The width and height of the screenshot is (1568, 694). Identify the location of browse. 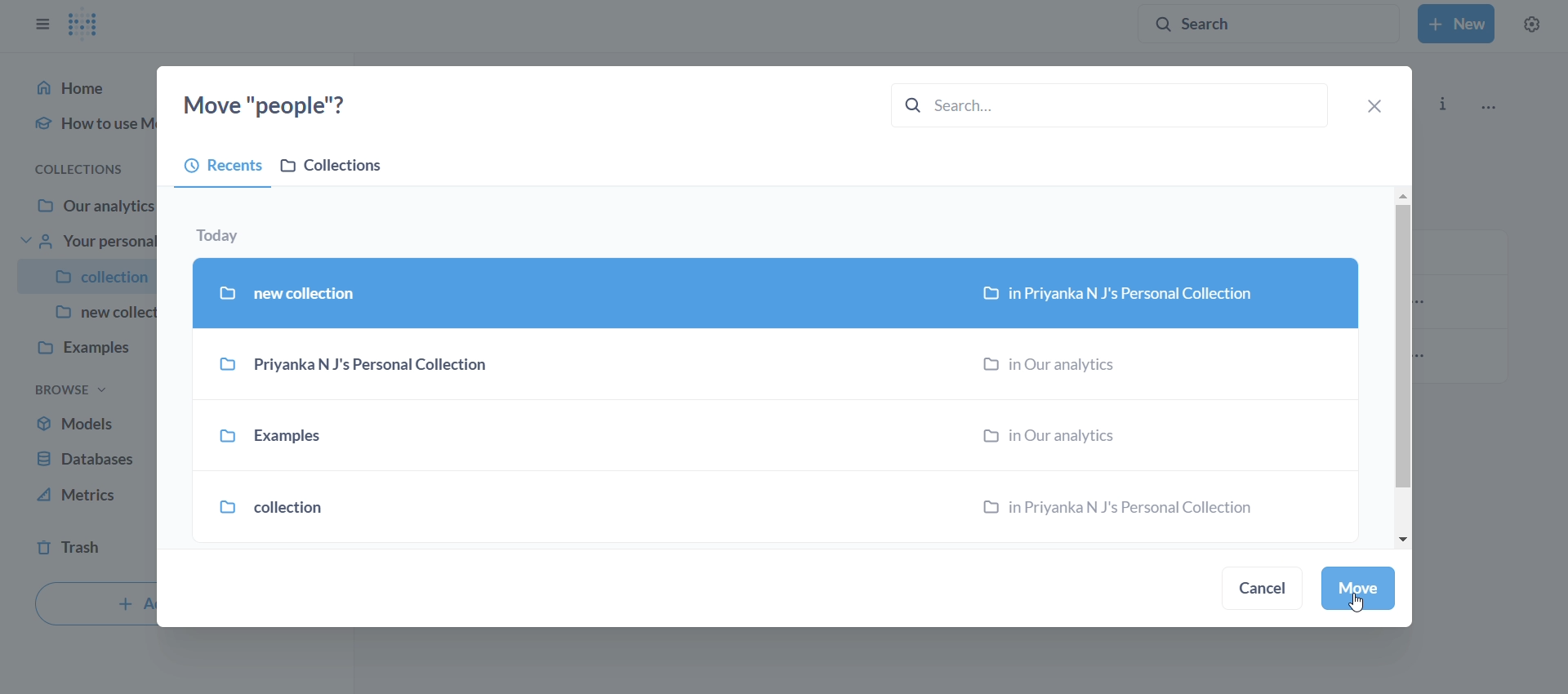
(71, 389).